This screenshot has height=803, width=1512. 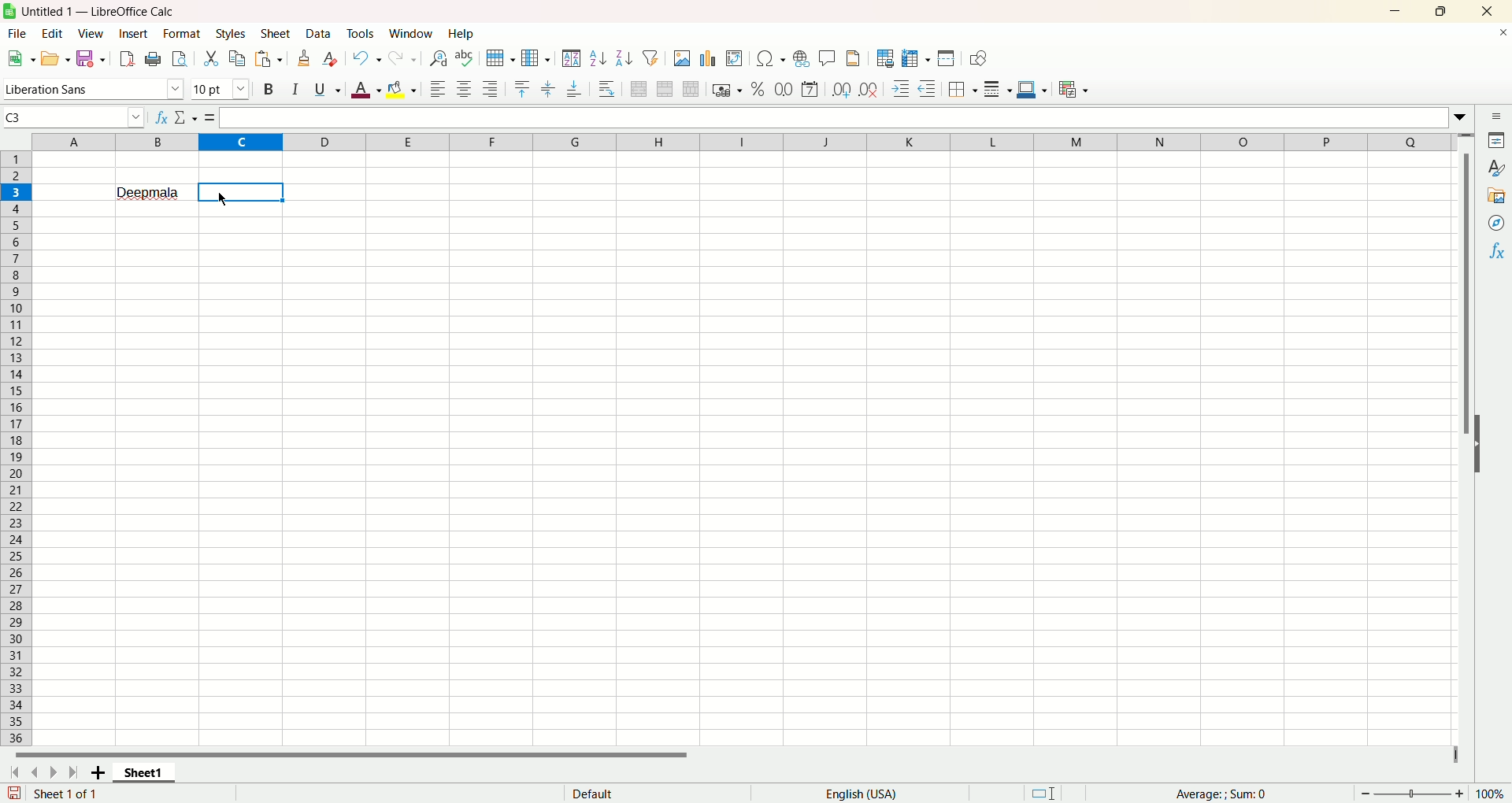 What do you see at coordinates (34, 774) in the screenshot?
I see `previous sheet` at bounding box center [34, 774].